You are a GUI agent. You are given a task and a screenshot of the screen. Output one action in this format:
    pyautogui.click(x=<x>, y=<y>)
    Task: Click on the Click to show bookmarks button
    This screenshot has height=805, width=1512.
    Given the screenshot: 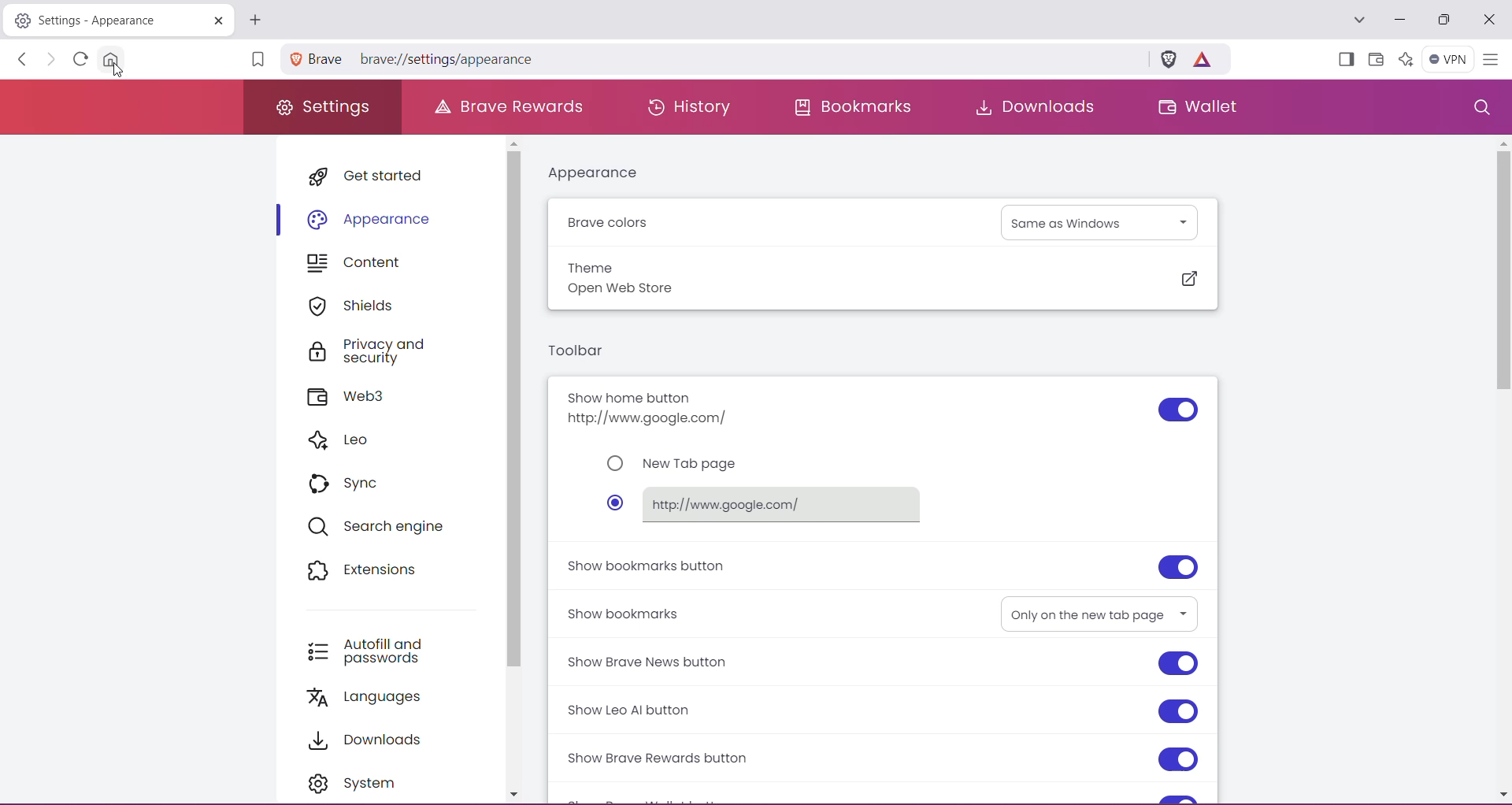 What is the action you would take?
    pyautogui.click(x=1177, y=566)
    